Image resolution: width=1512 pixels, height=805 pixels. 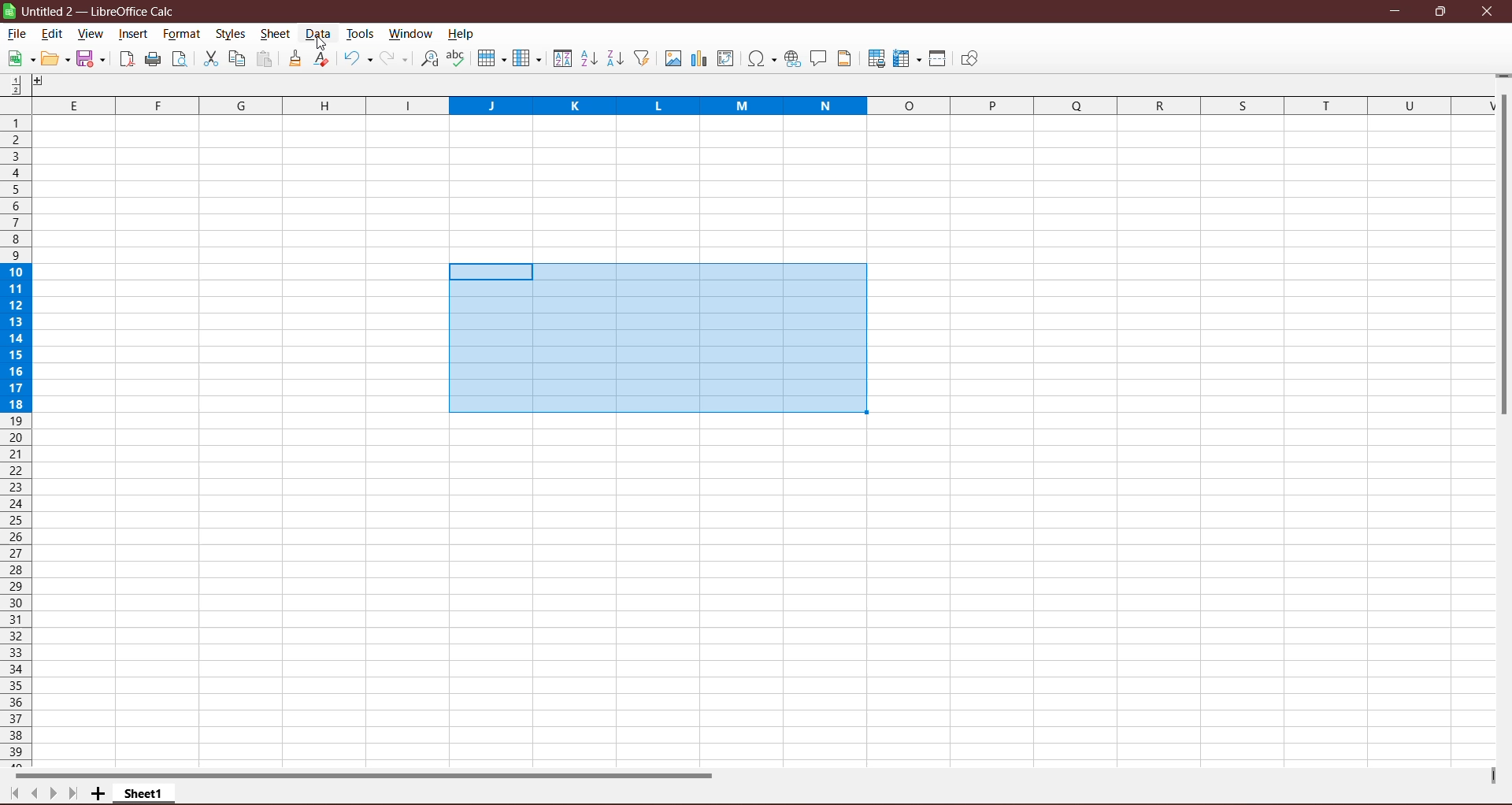 What do you see at coordinates (1440, 11) in the screenshot?
I see `Restore Down` at bounding box center [1440, 11].